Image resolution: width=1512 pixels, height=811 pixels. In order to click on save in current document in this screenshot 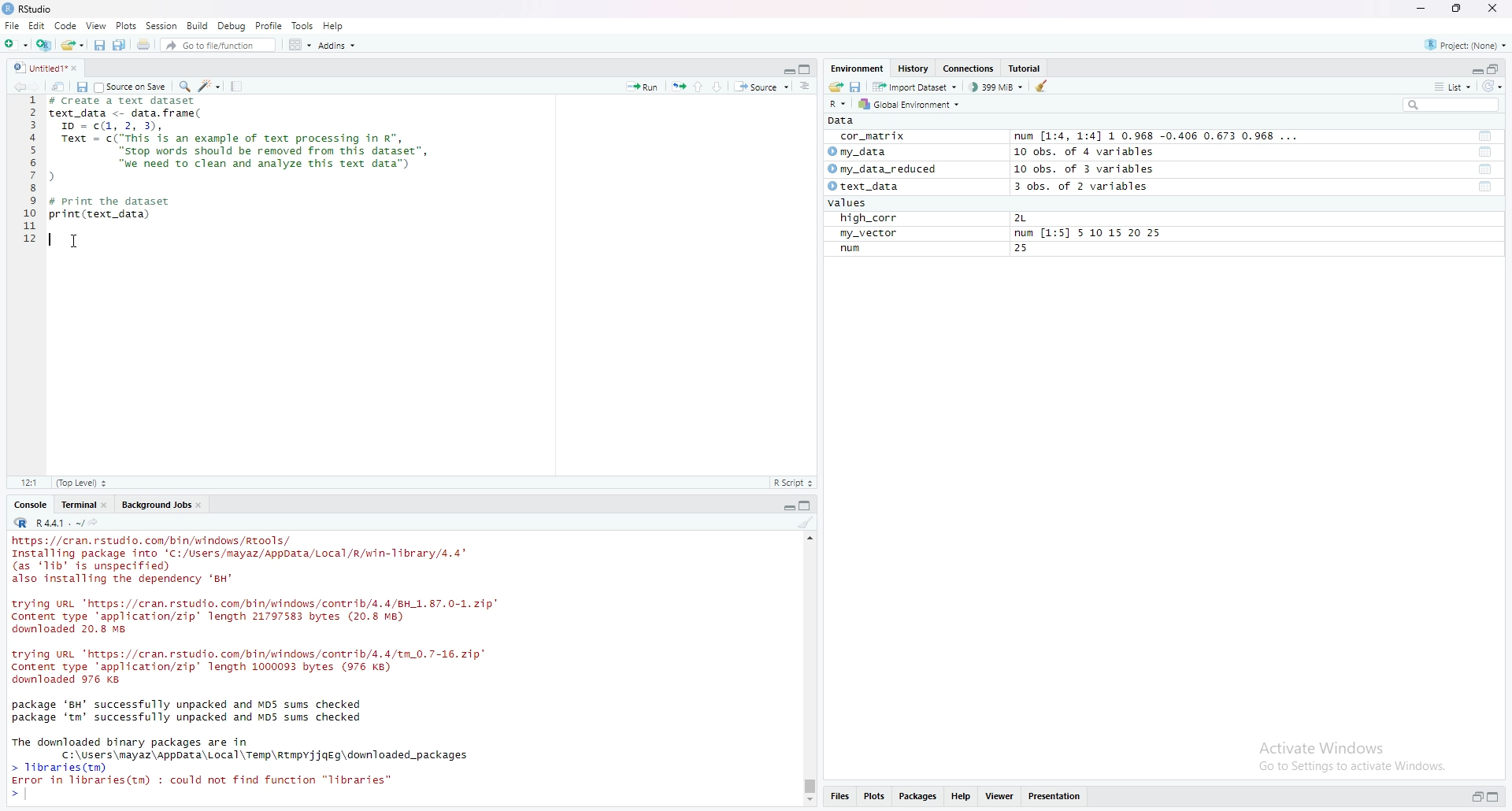, I will do `click(82, 87)`.